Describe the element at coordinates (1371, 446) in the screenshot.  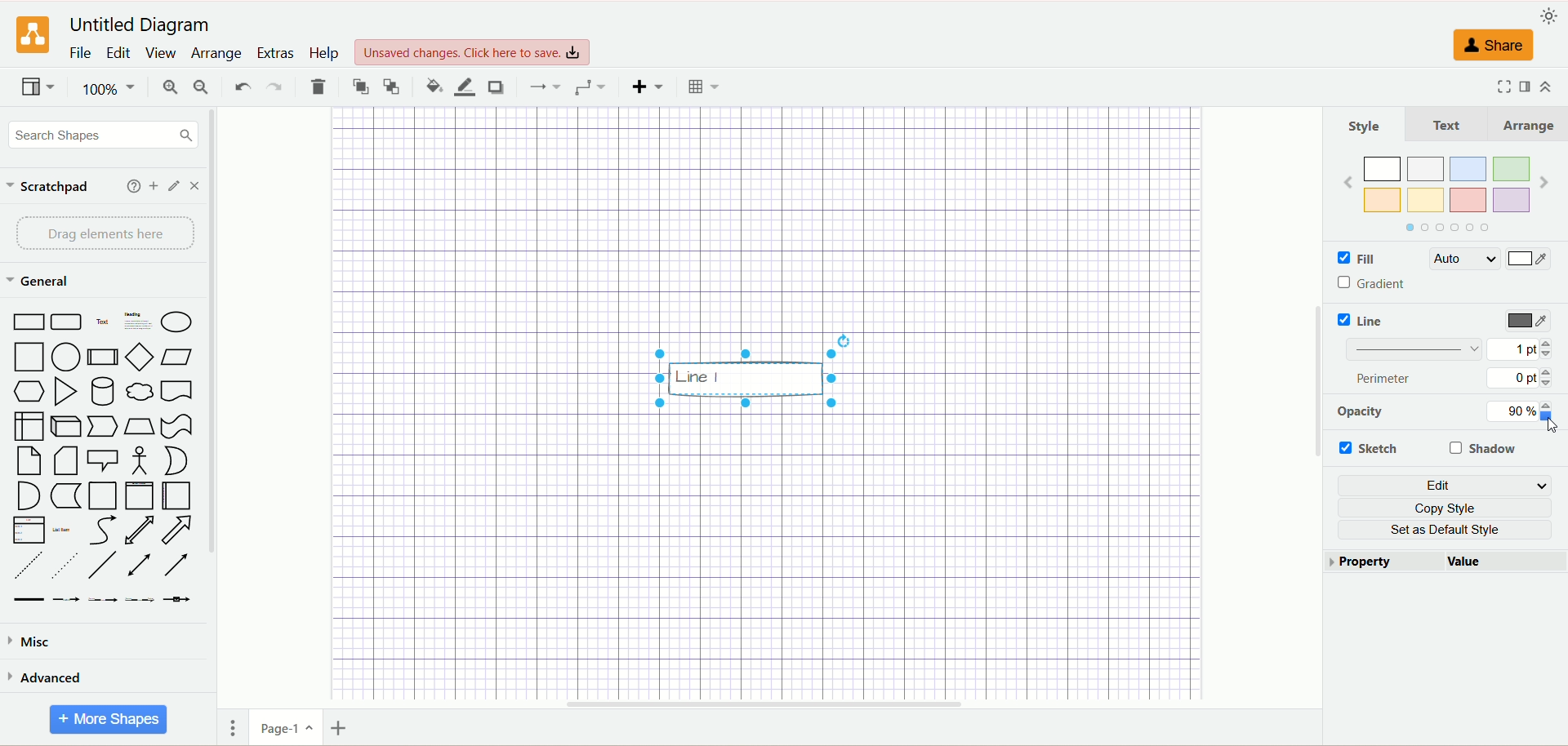
I see `sketch` at that location.